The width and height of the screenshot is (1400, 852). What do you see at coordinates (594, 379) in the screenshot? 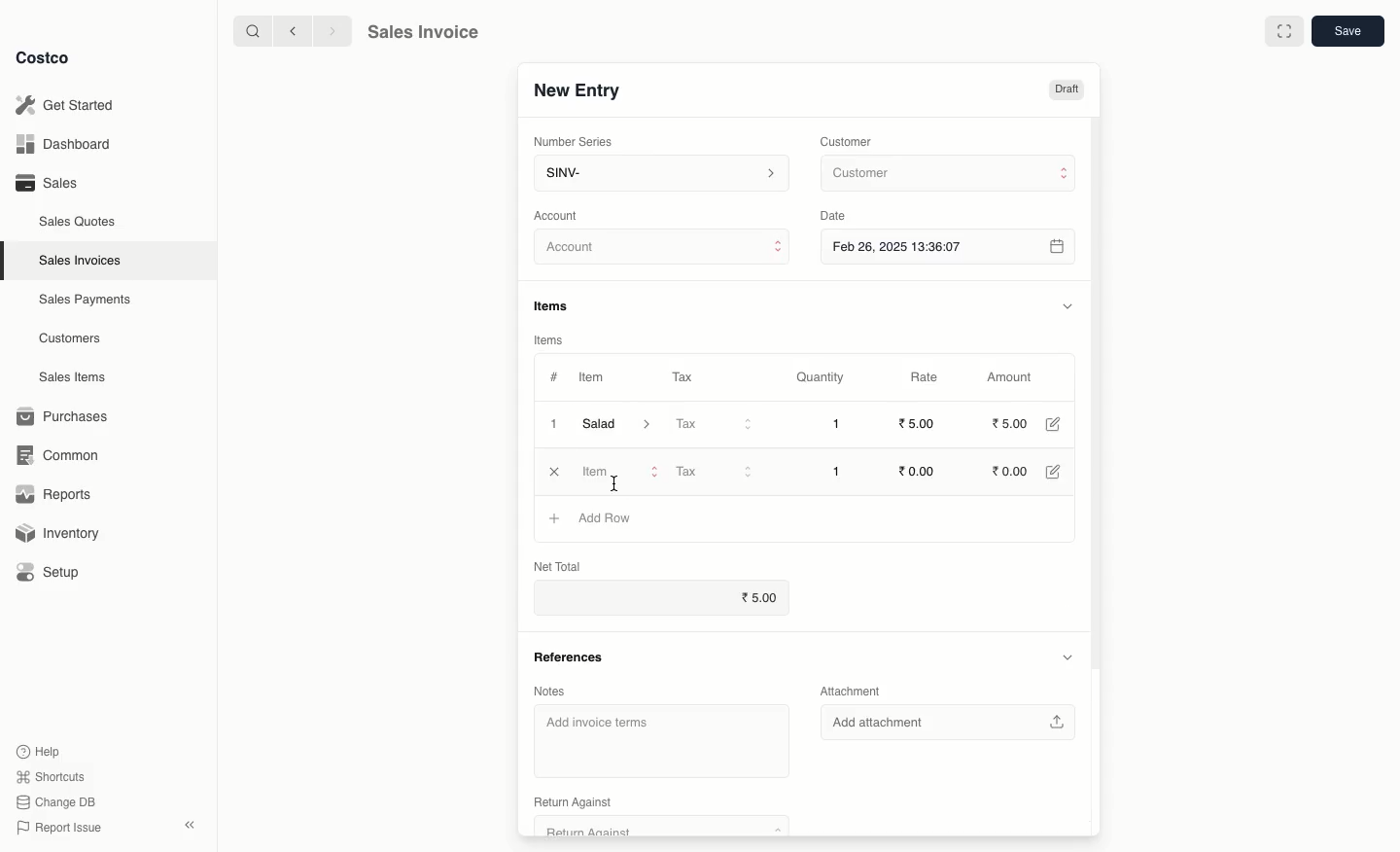
I see `Item` at bounding box center [594, 379].